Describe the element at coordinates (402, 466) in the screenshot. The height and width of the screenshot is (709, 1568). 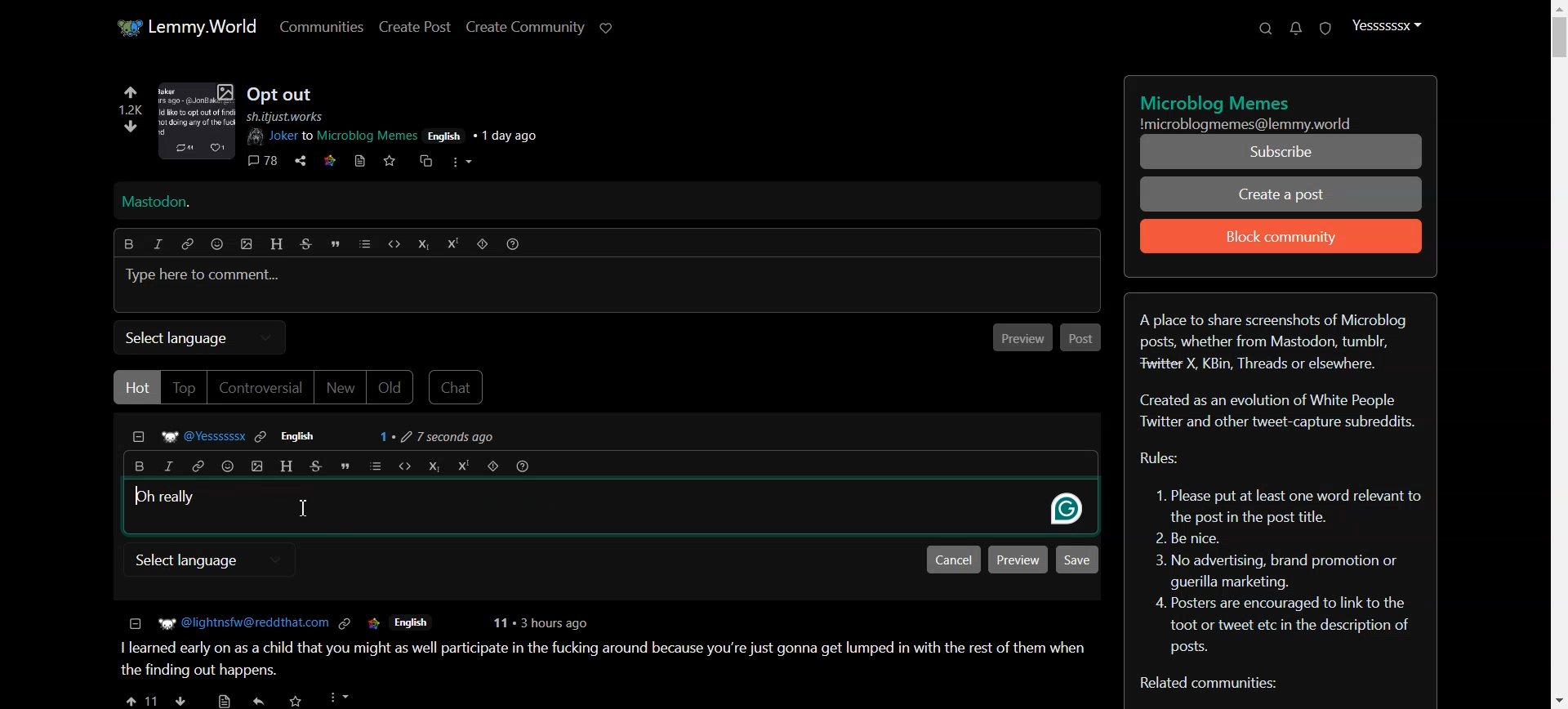
I see `Code` at that location.